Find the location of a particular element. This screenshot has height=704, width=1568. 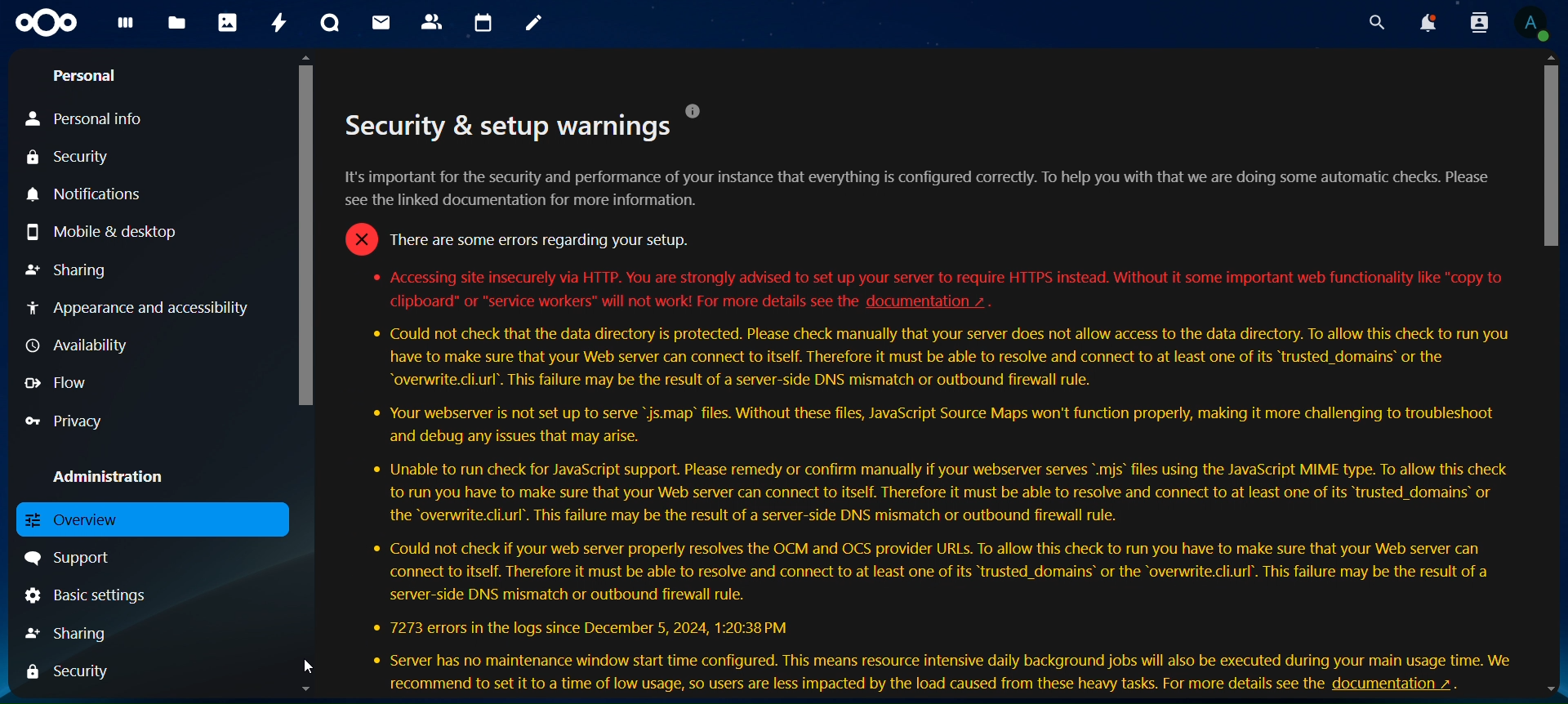

support is located at coordinates (68, 559).